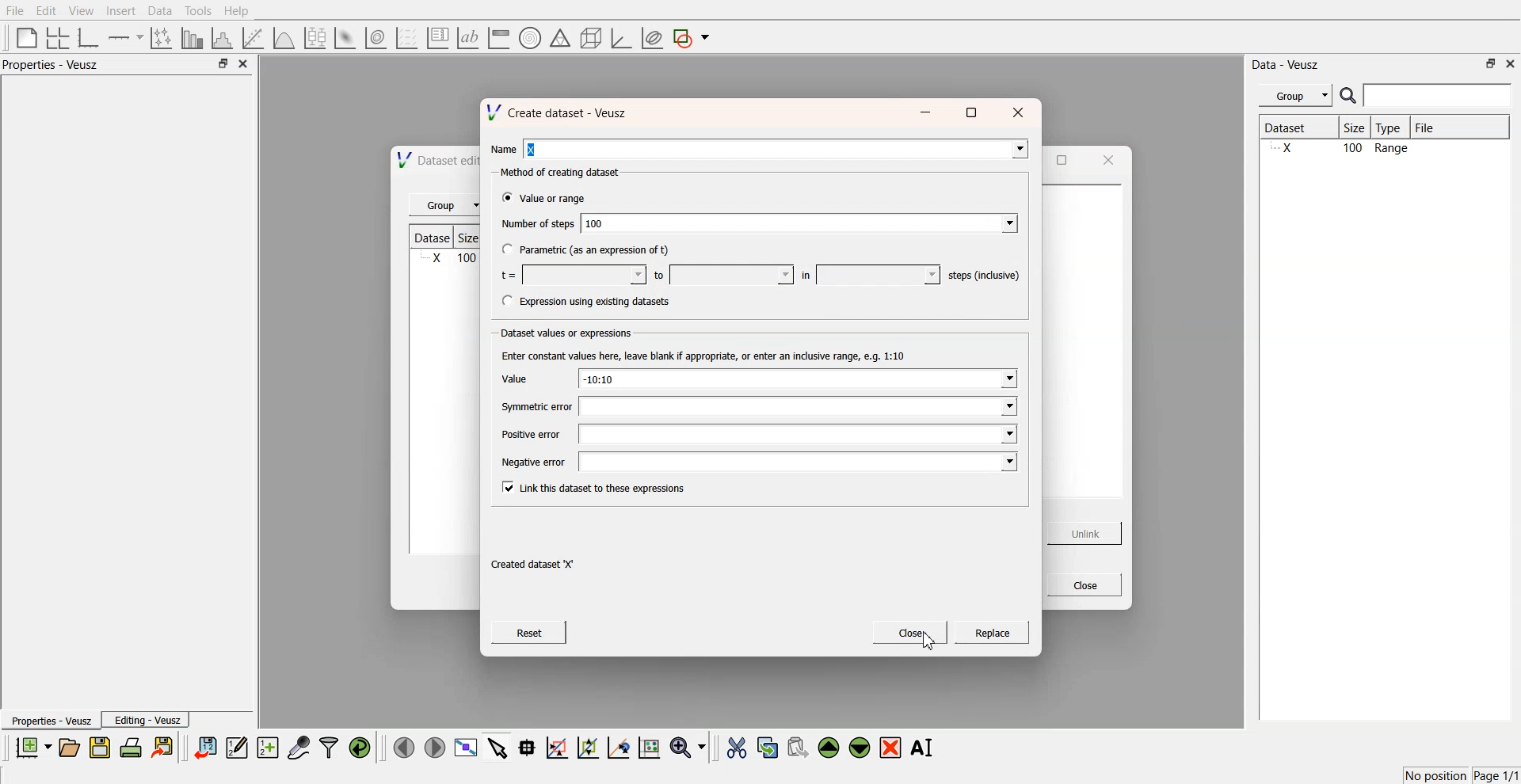 The width and height of the screenshot is (1521, 784). I want to click on Data, so click(159, 11).